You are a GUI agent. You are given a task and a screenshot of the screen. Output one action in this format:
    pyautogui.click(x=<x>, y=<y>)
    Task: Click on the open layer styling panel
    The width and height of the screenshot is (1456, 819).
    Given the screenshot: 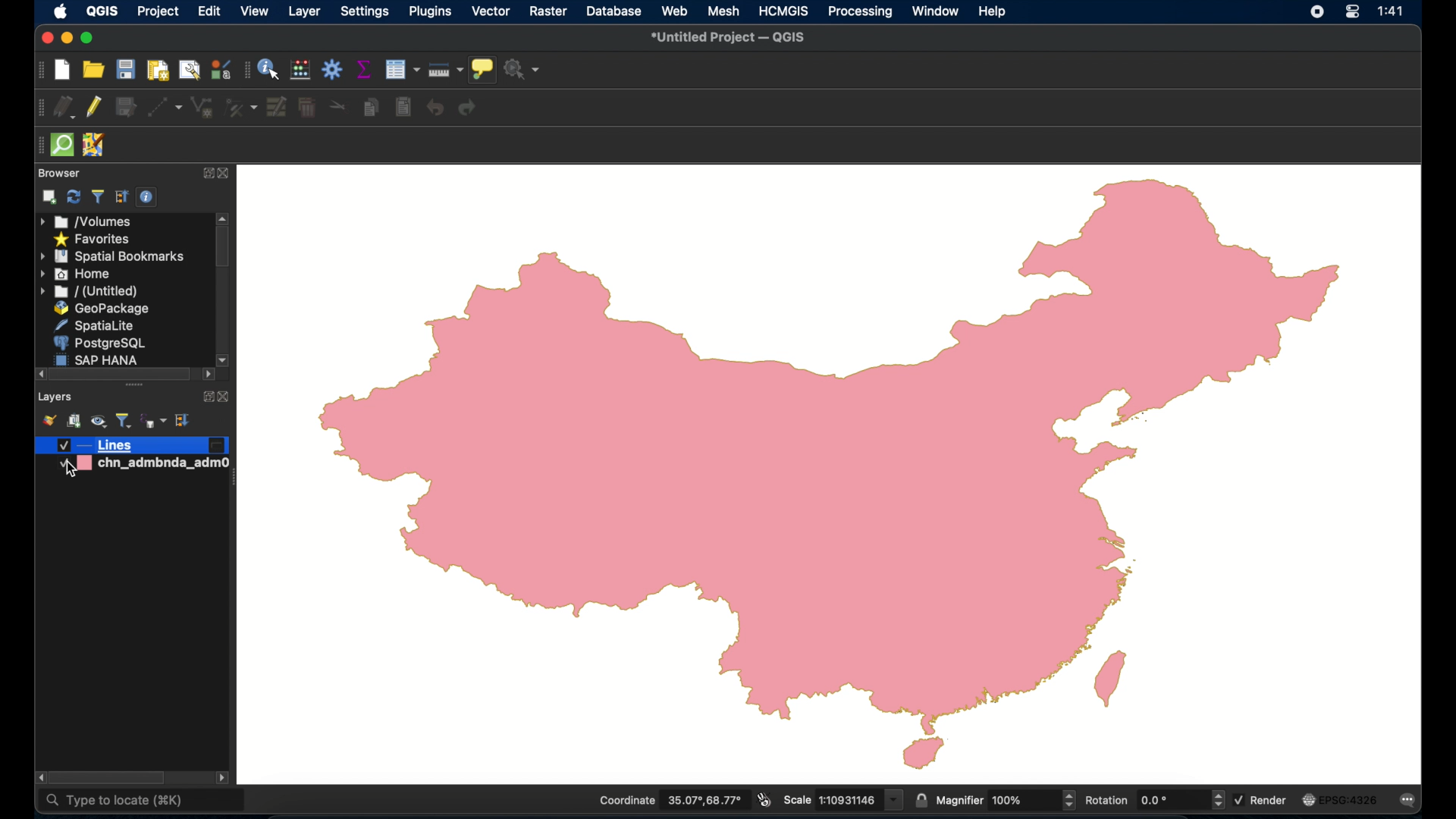 What is the action you would take?
    pyautogui.click(x=48, y=419)
    